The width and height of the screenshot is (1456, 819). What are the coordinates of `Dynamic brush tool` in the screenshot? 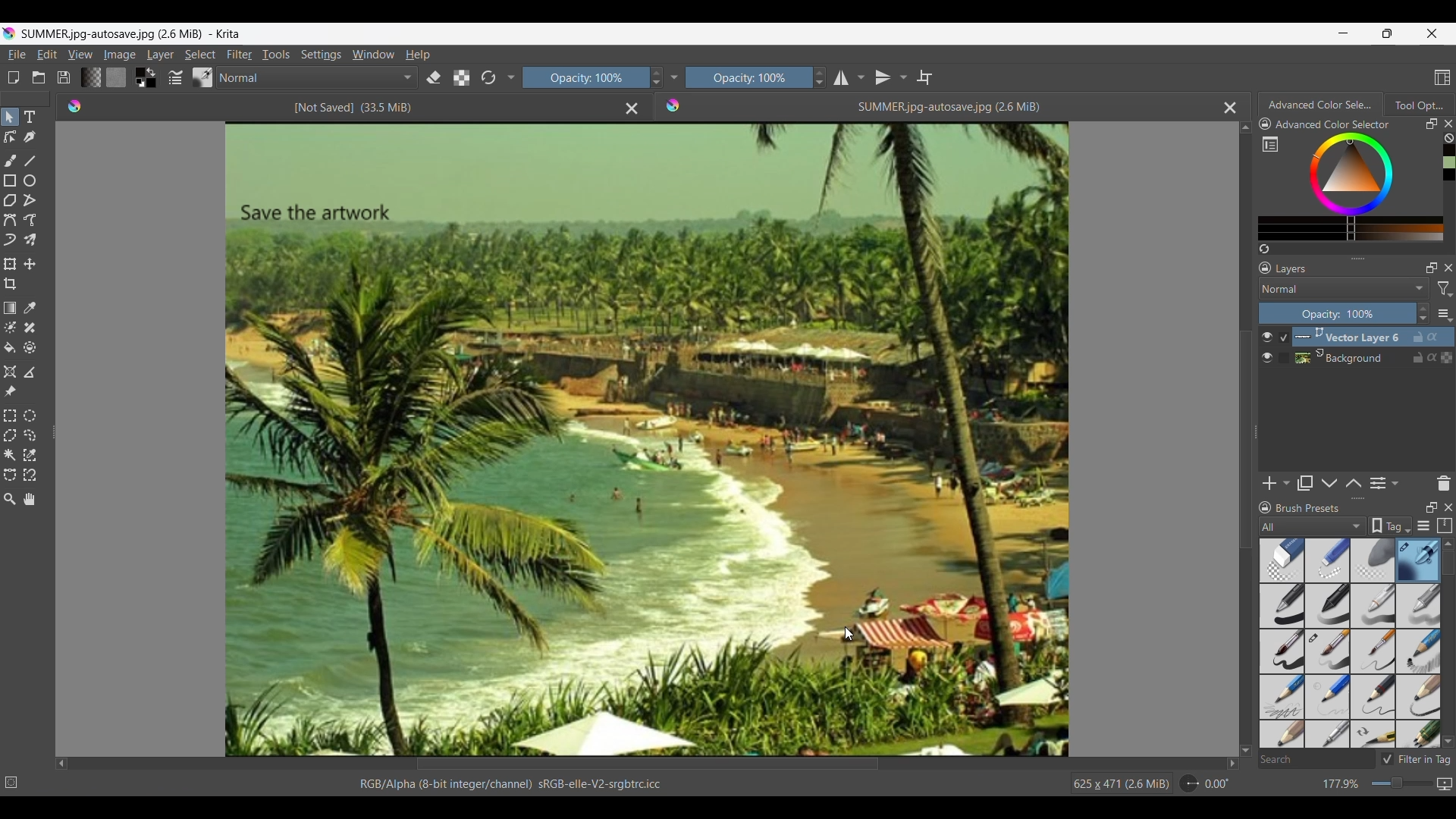 It's located at (10, 240).